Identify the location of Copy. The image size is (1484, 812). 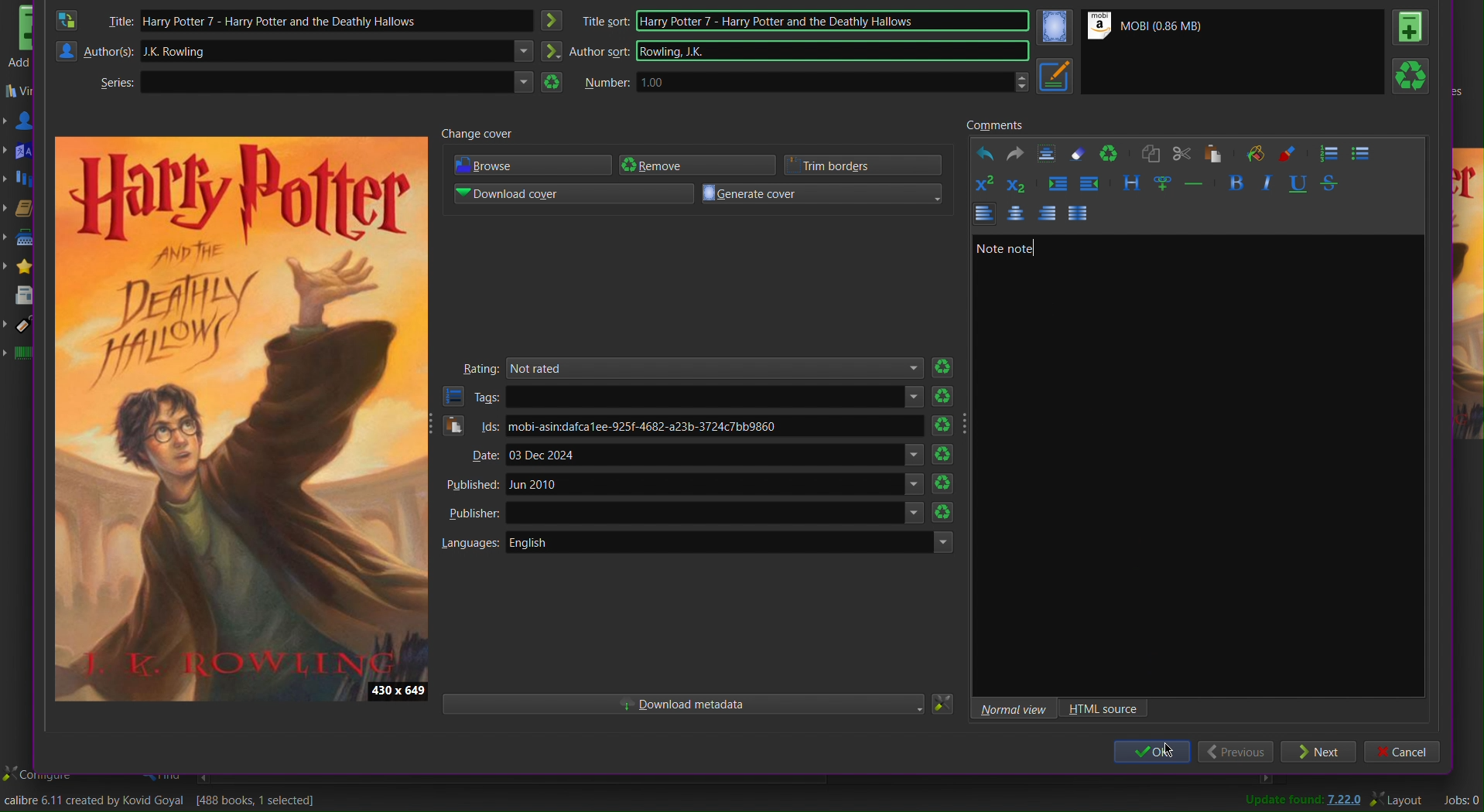
(1151, 153).